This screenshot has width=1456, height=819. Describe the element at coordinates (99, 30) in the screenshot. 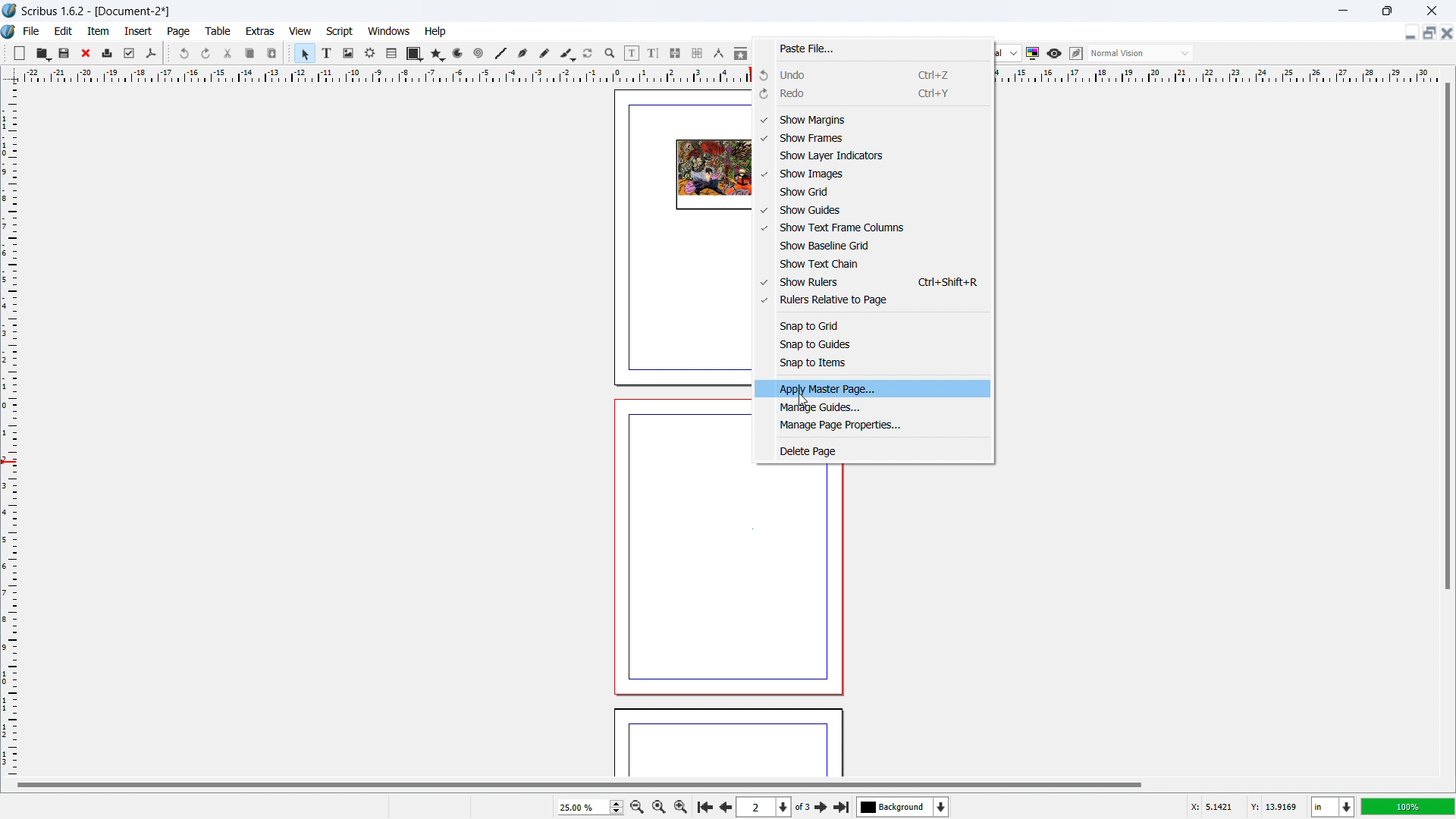

I see `item` at that location.